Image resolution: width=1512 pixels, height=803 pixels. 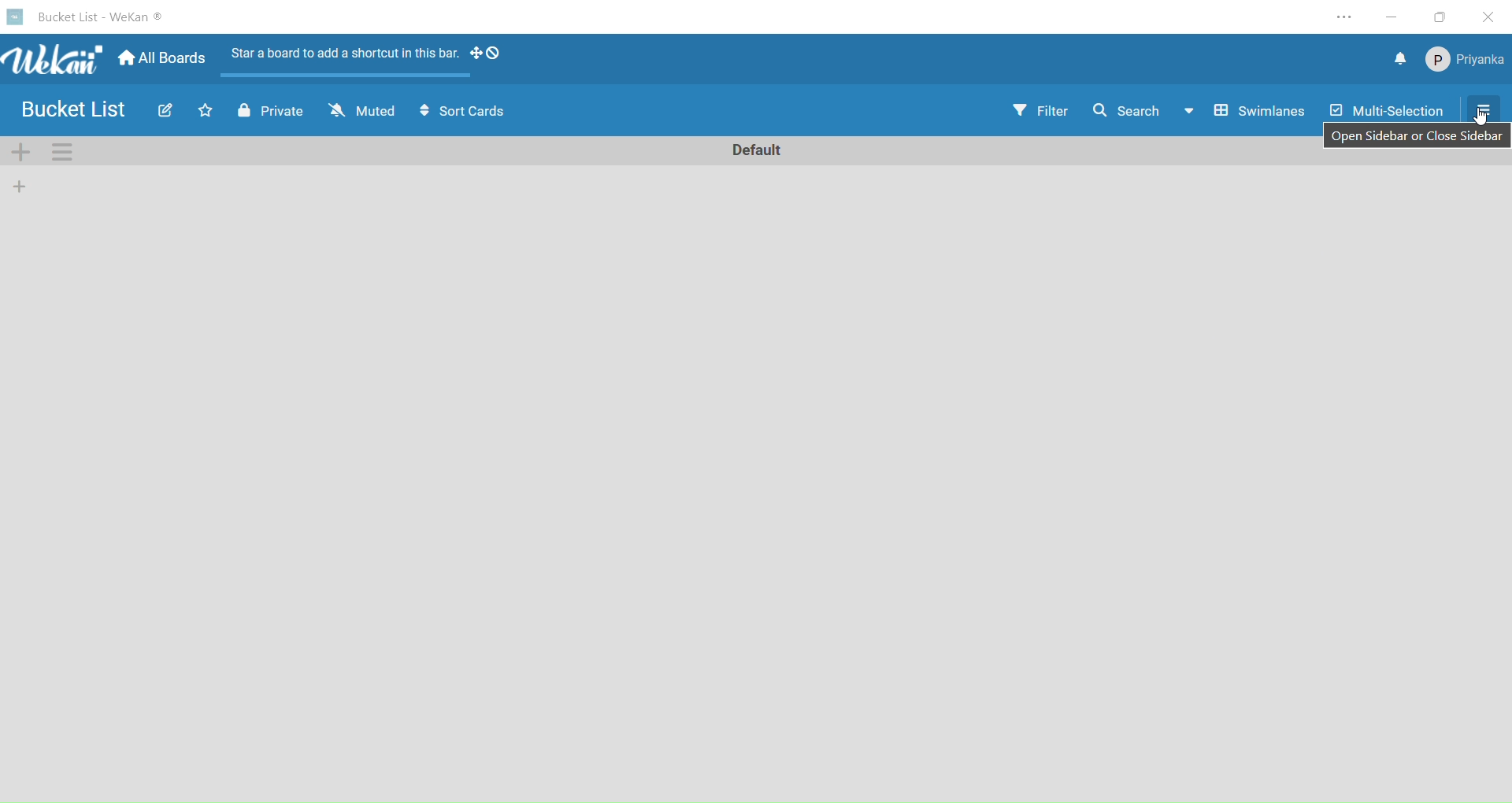 I want to click on rename, so click(x=761, y=150).